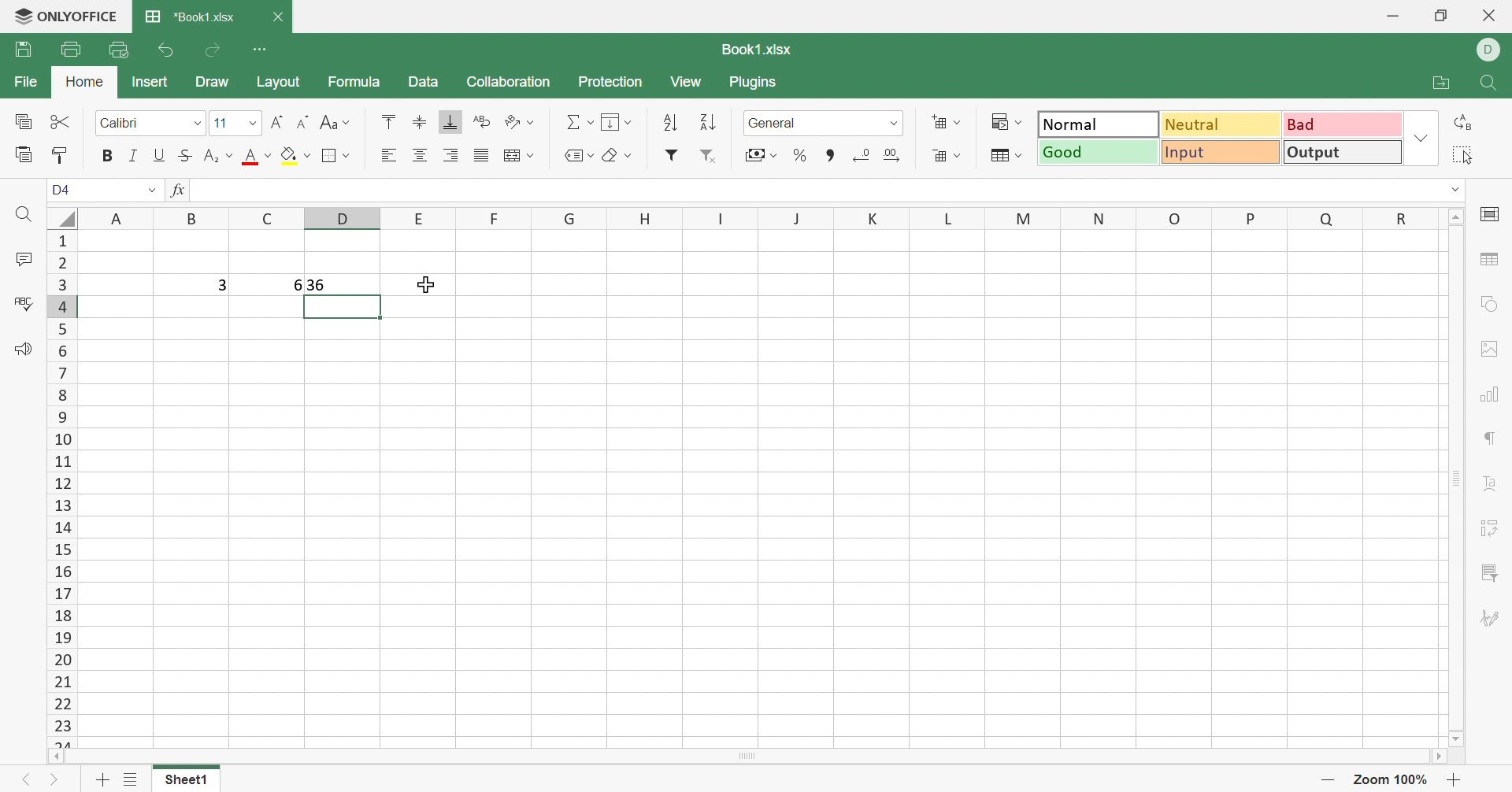 This screenshot has width=1512, height=792. What do you see at coordinates (1492, 83) in the screenshot?
I see `Find` at bounding box center [1492, 83].